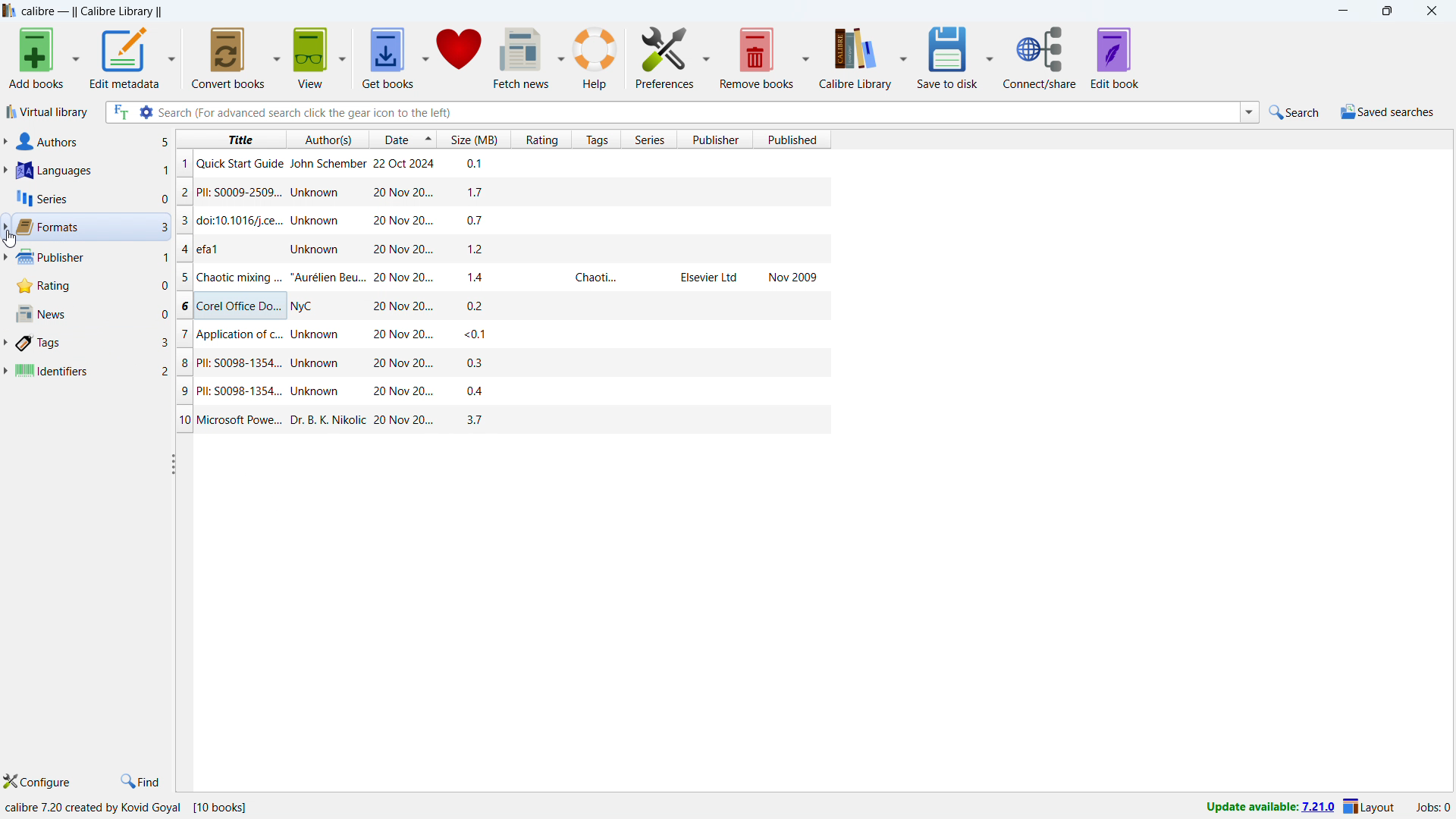 The width and height of the screenshot is (1456, 819). I want to click on do a quick search, so click(1296, 112).